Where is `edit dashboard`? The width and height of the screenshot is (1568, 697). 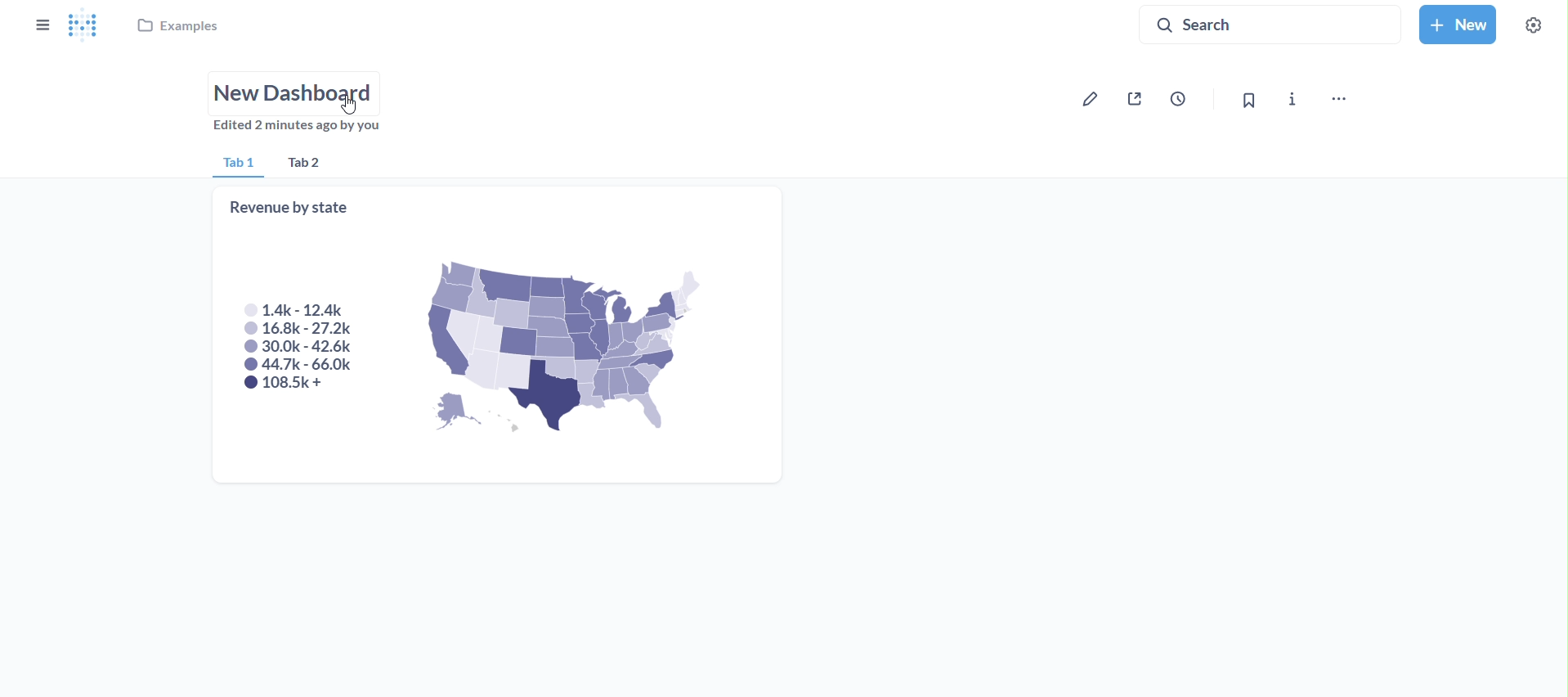
edit dashboard is located at coordinates (1092, 98).